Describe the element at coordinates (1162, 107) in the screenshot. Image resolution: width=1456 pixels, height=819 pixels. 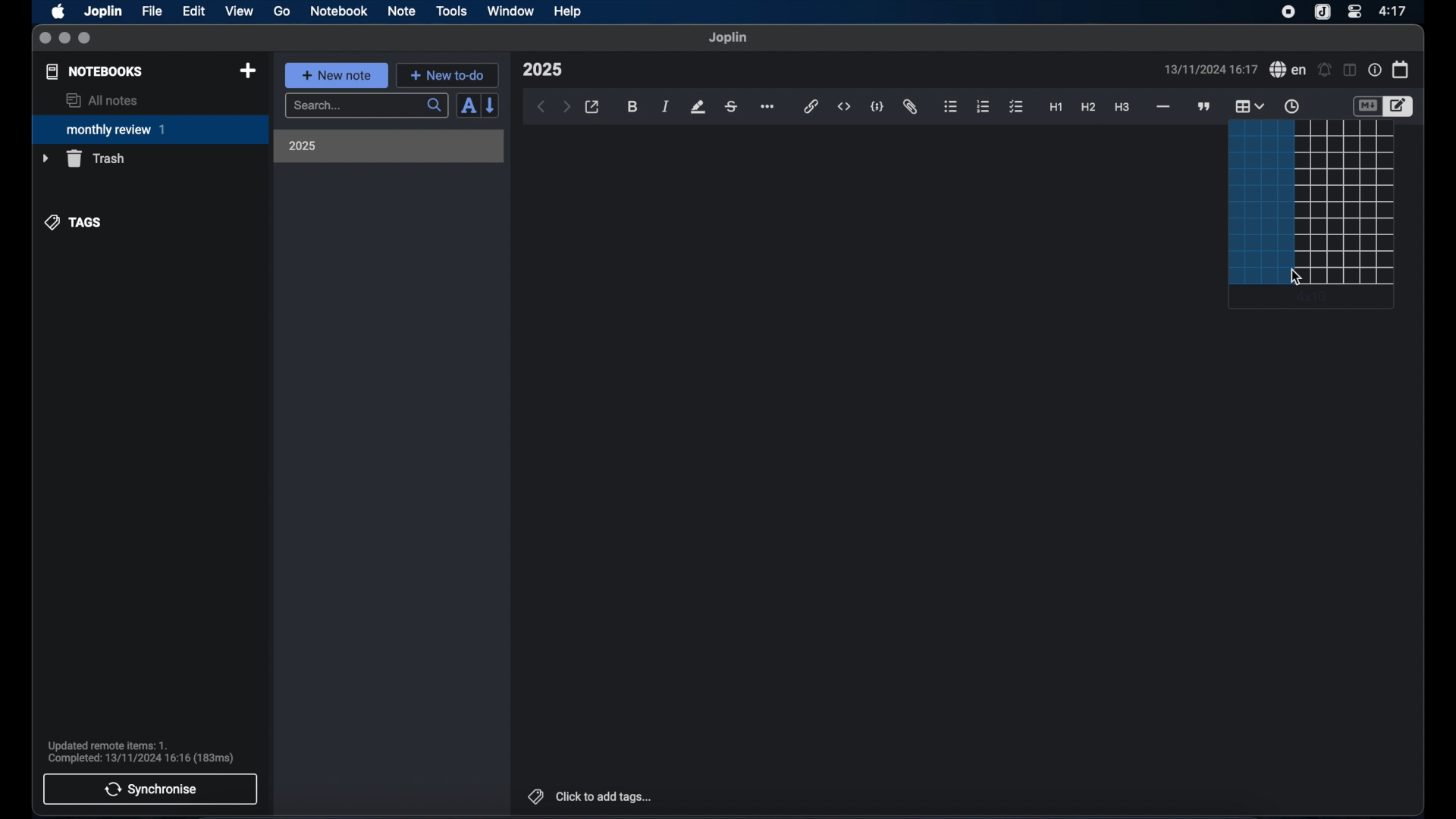
I see `horizontal rule` at that location.